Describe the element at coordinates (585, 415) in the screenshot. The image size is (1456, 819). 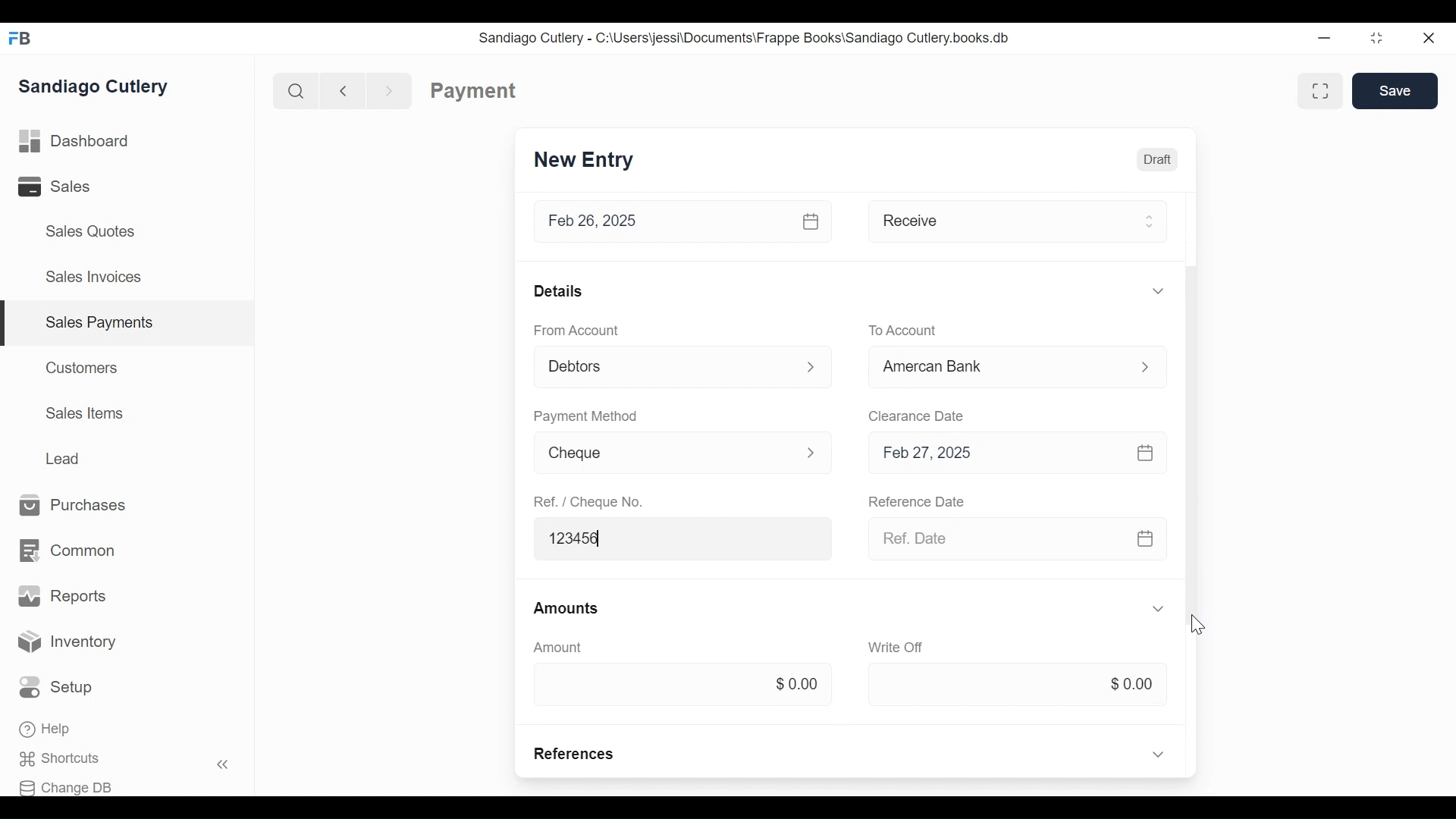
I see `Payment Method` at that location.